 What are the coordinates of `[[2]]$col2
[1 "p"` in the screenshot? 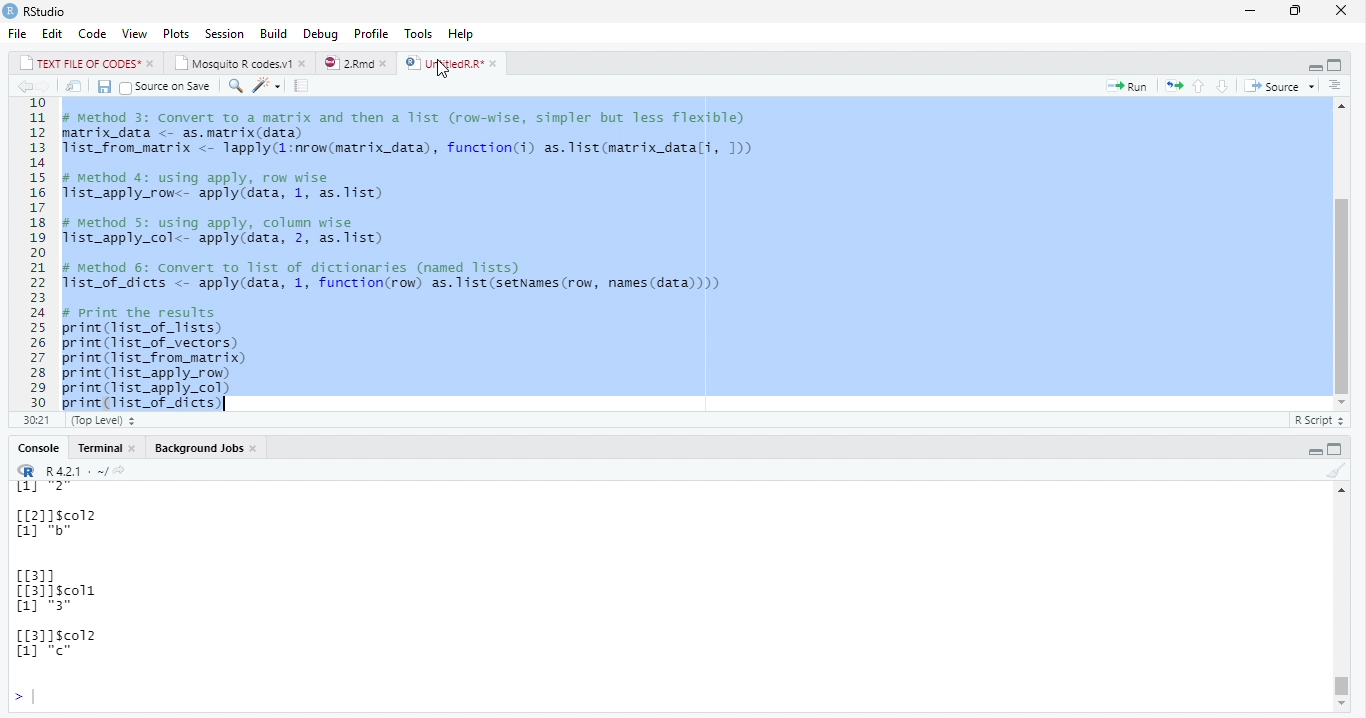 It's located at (63, 526).